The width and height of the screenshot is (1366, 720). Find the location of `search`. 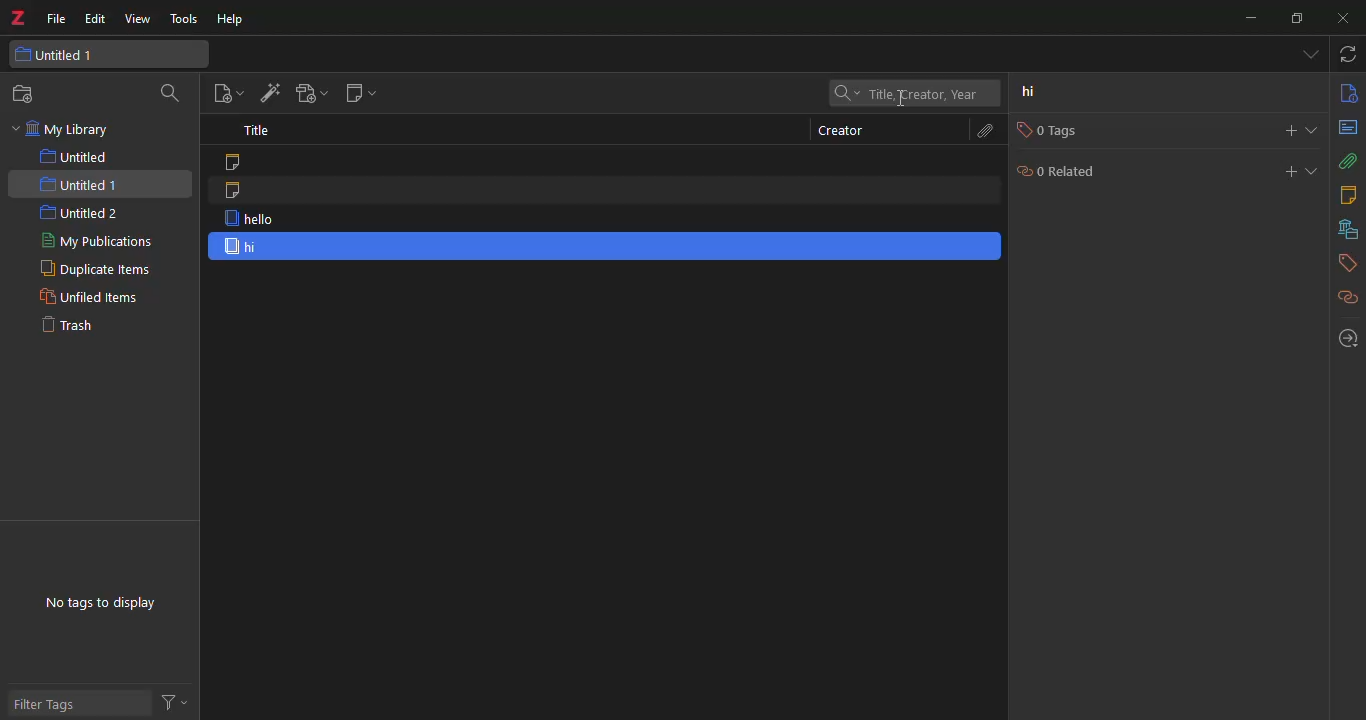

search is located at coordinates (166, 95).